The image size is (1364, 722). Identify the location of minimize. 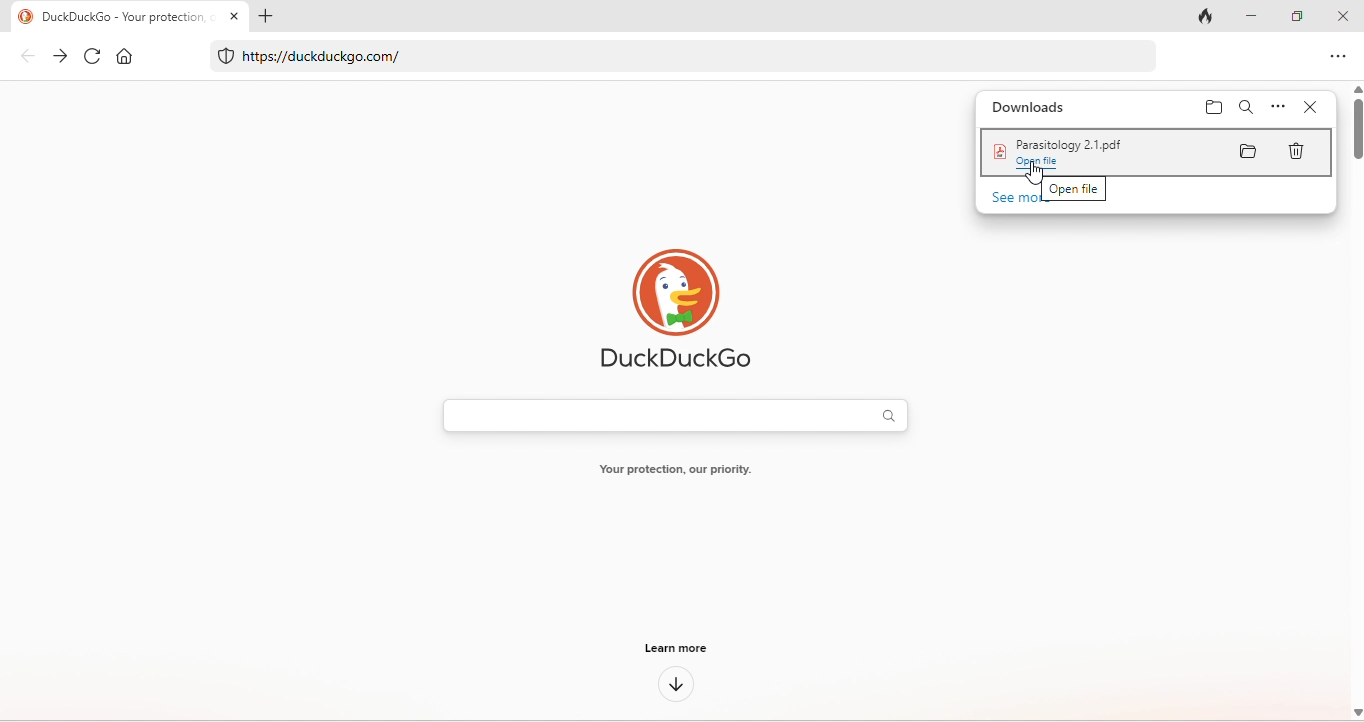
(1250, 17).